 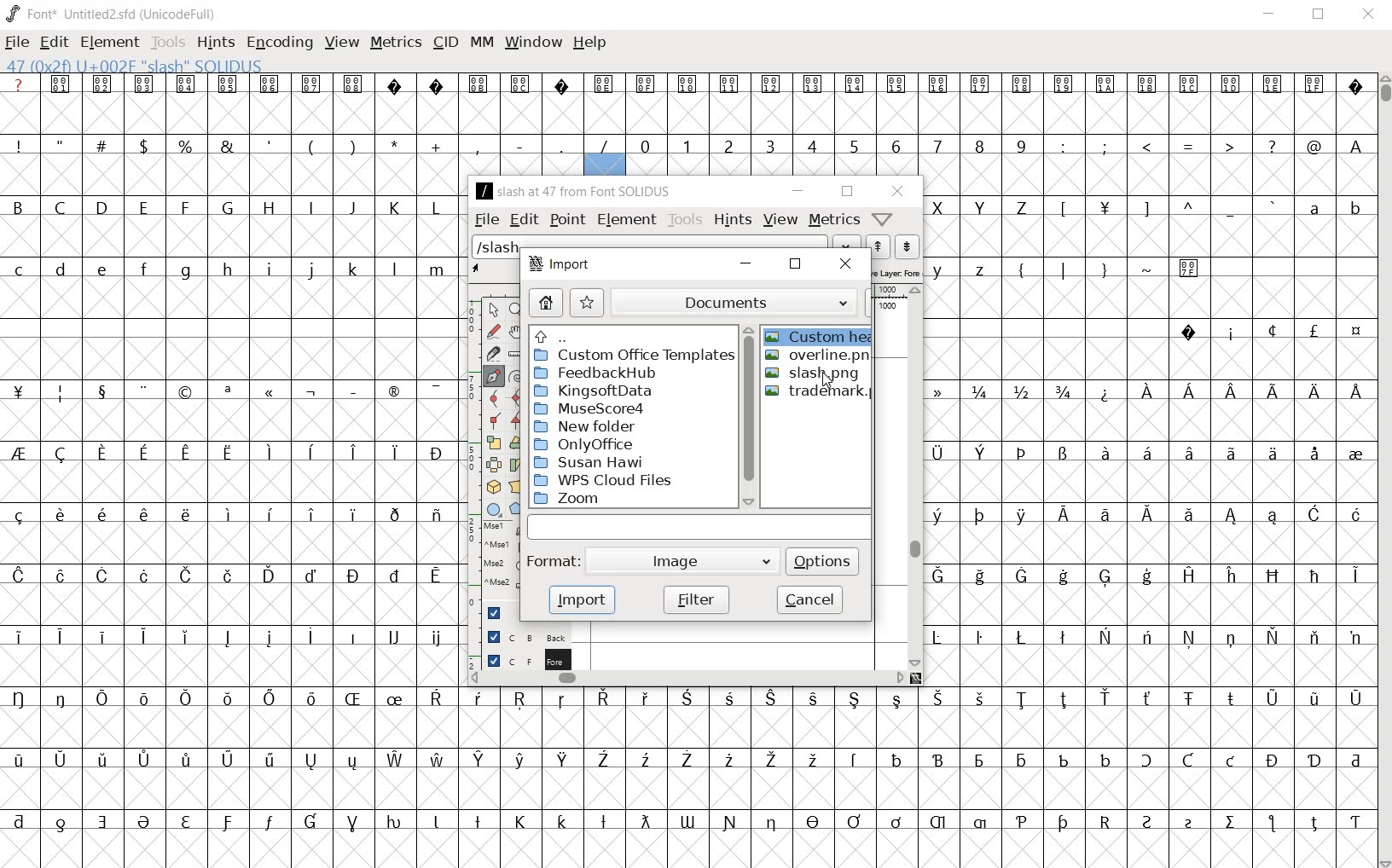 What do you see at coordinates (1149, 605) in the screenshot?
I see `empty cells` at bounding box center [1149, 605].